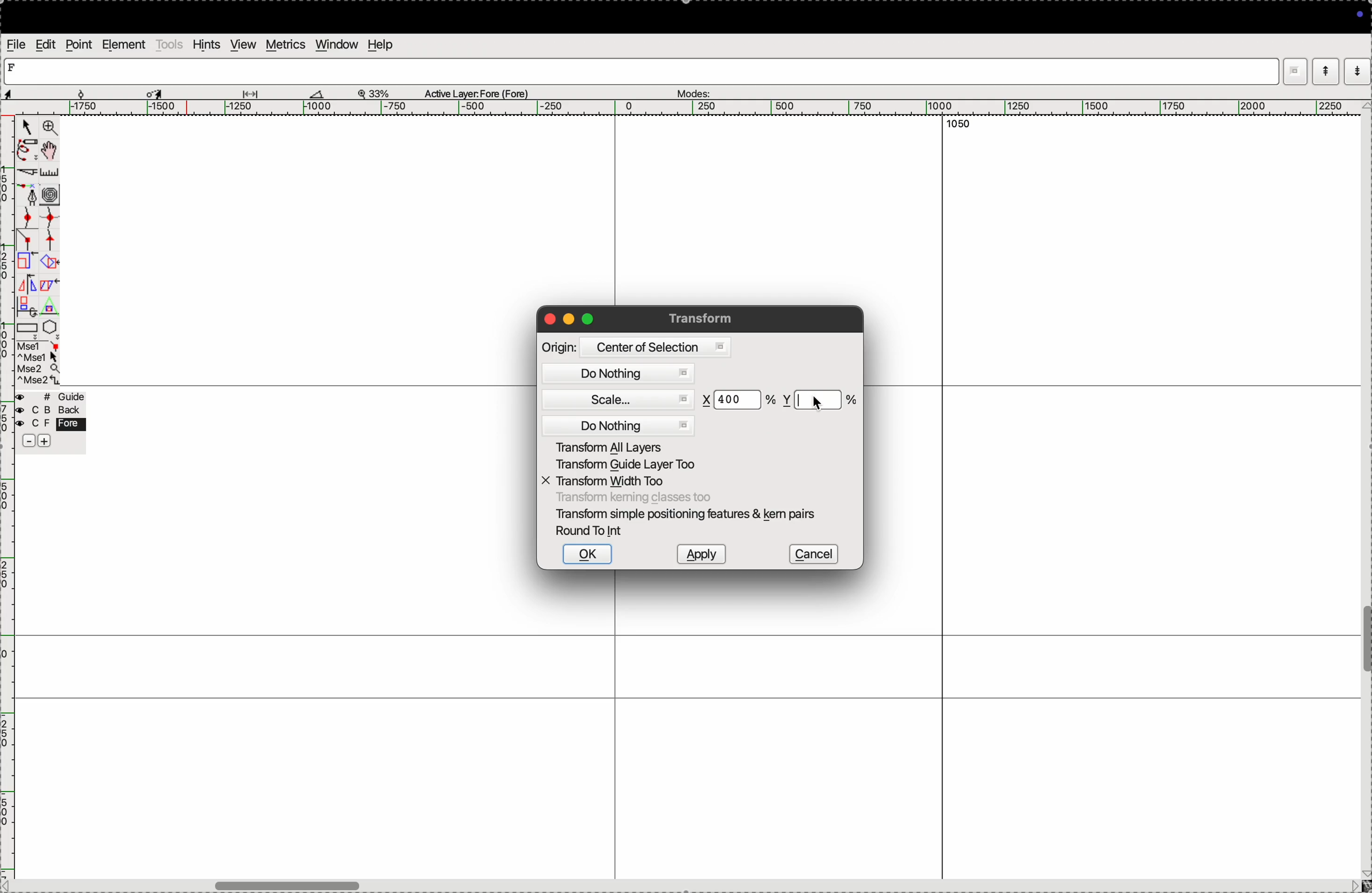 The width and height of the screenshot is (1372, 893). I want to click on transform classes too, so click(633, 498).